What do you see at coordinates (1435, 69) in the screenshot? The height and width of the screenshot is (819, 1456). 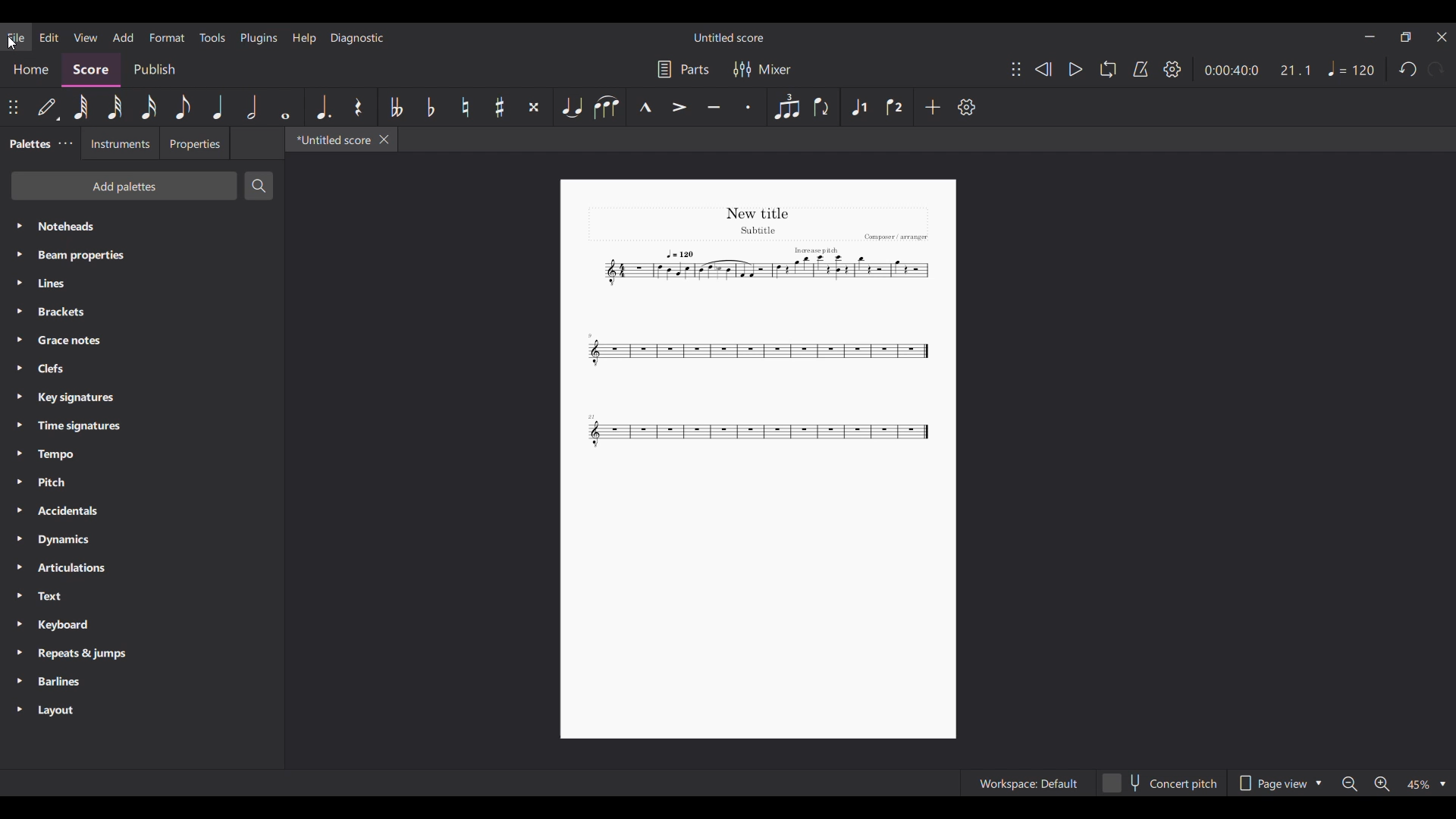 I see `Redo` at bounding box center [1435, 69].